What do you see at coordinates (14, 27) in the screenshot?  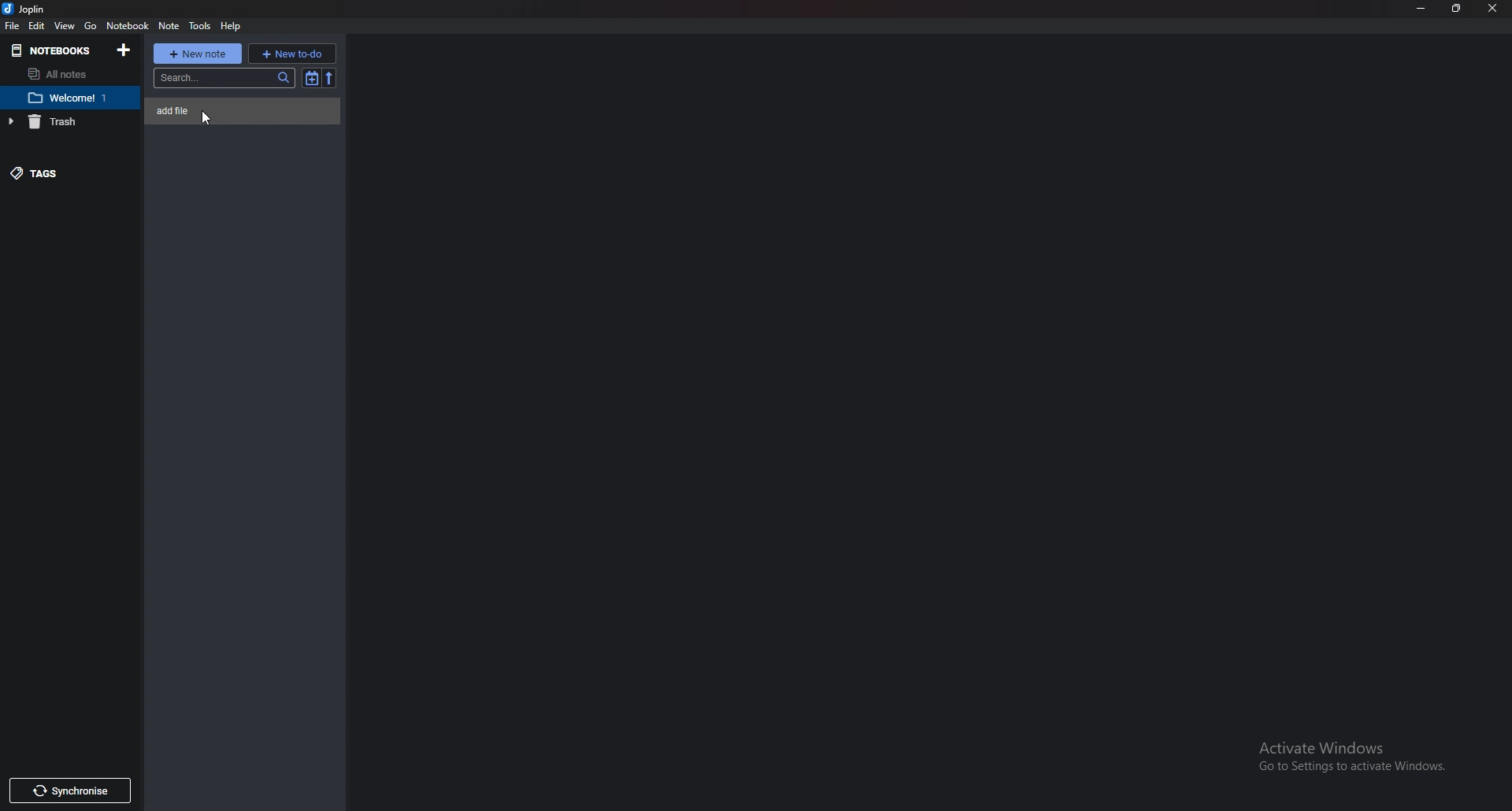 I see `file` at bounding box center [14, 27].